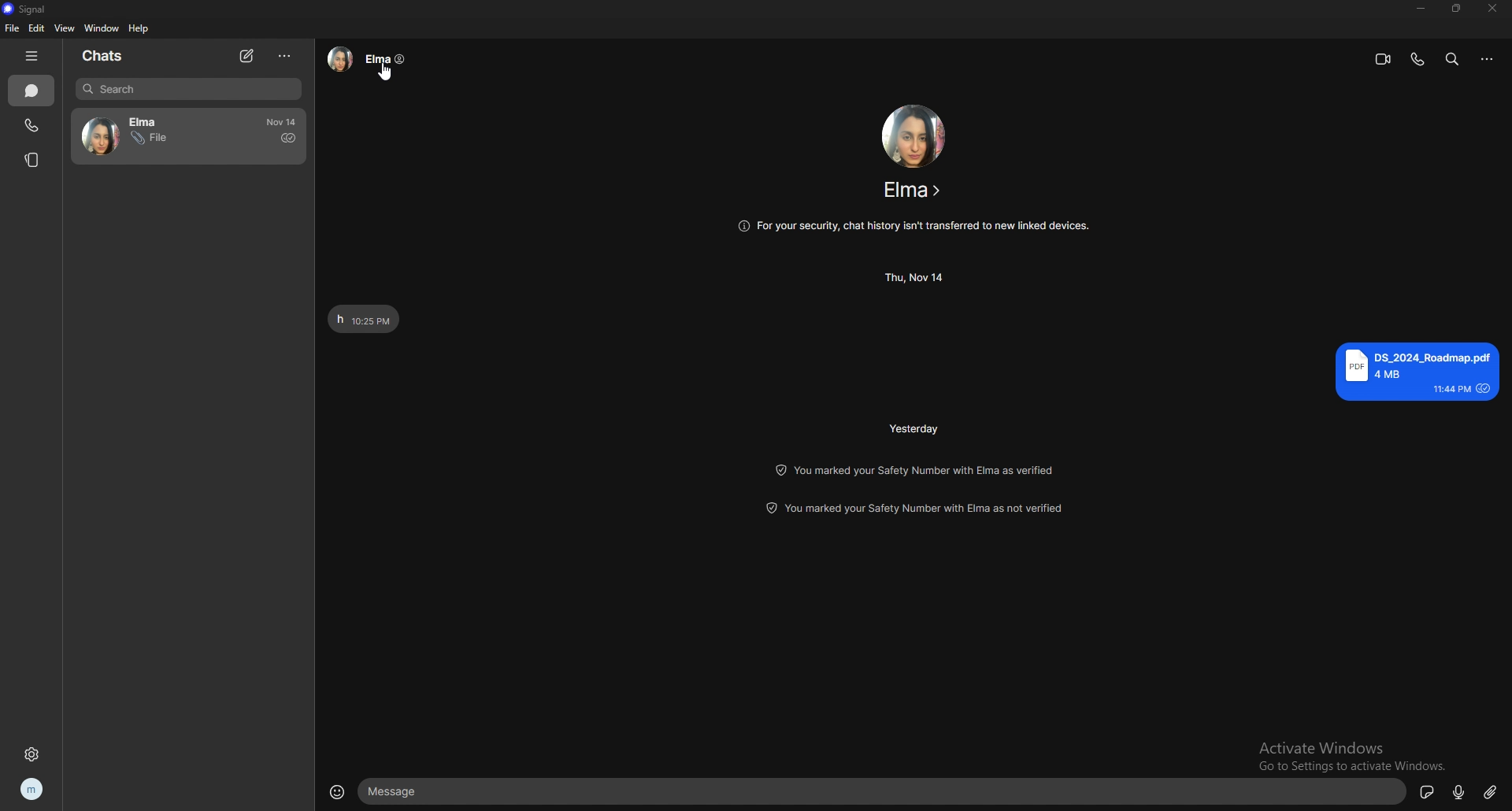 This screenshot has width=1512, height=811. I want to click on view, so click(65, 28).